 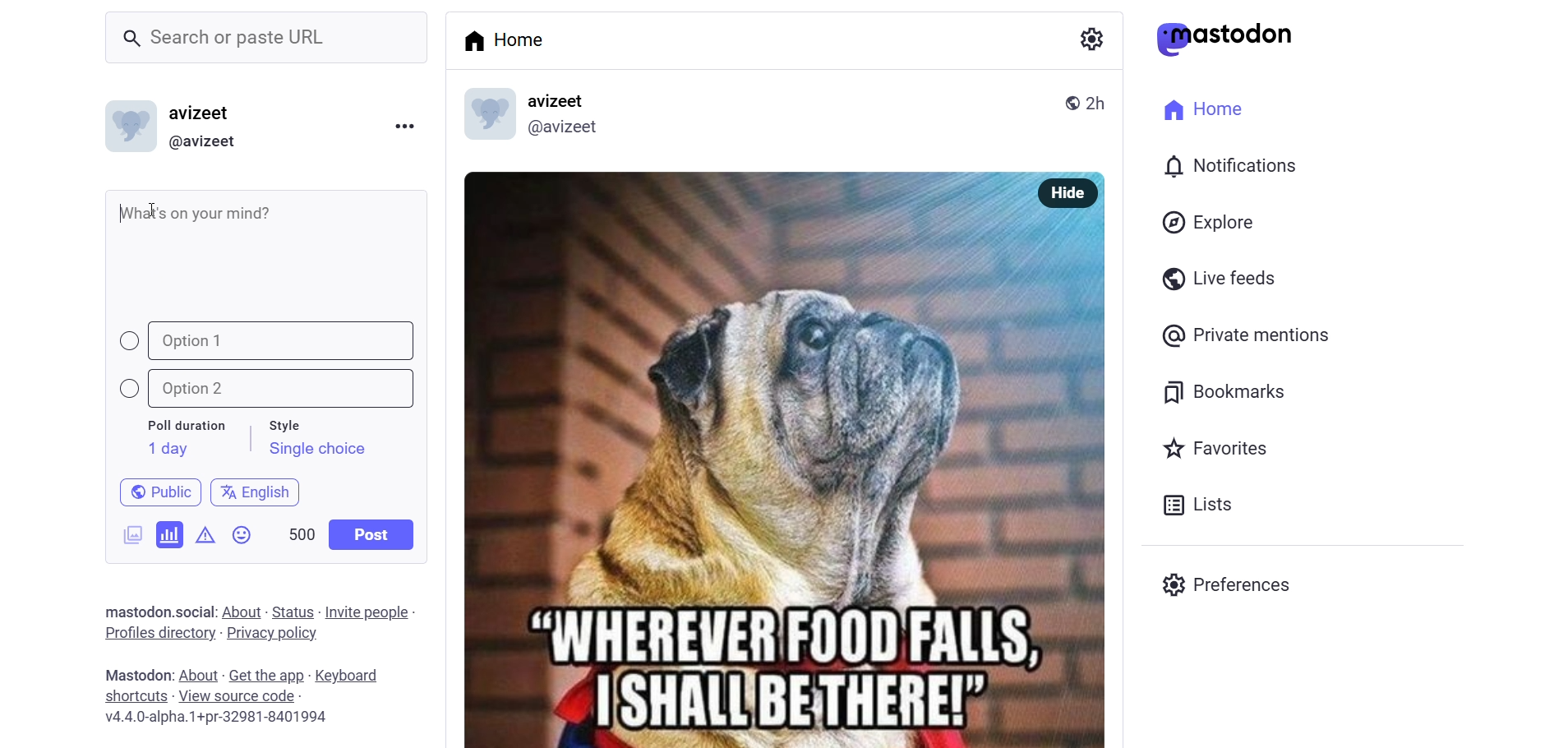 What do you see at coordinates (165, 449) in the screenshot?
I see `1 day` at bounding box center [165, 449].